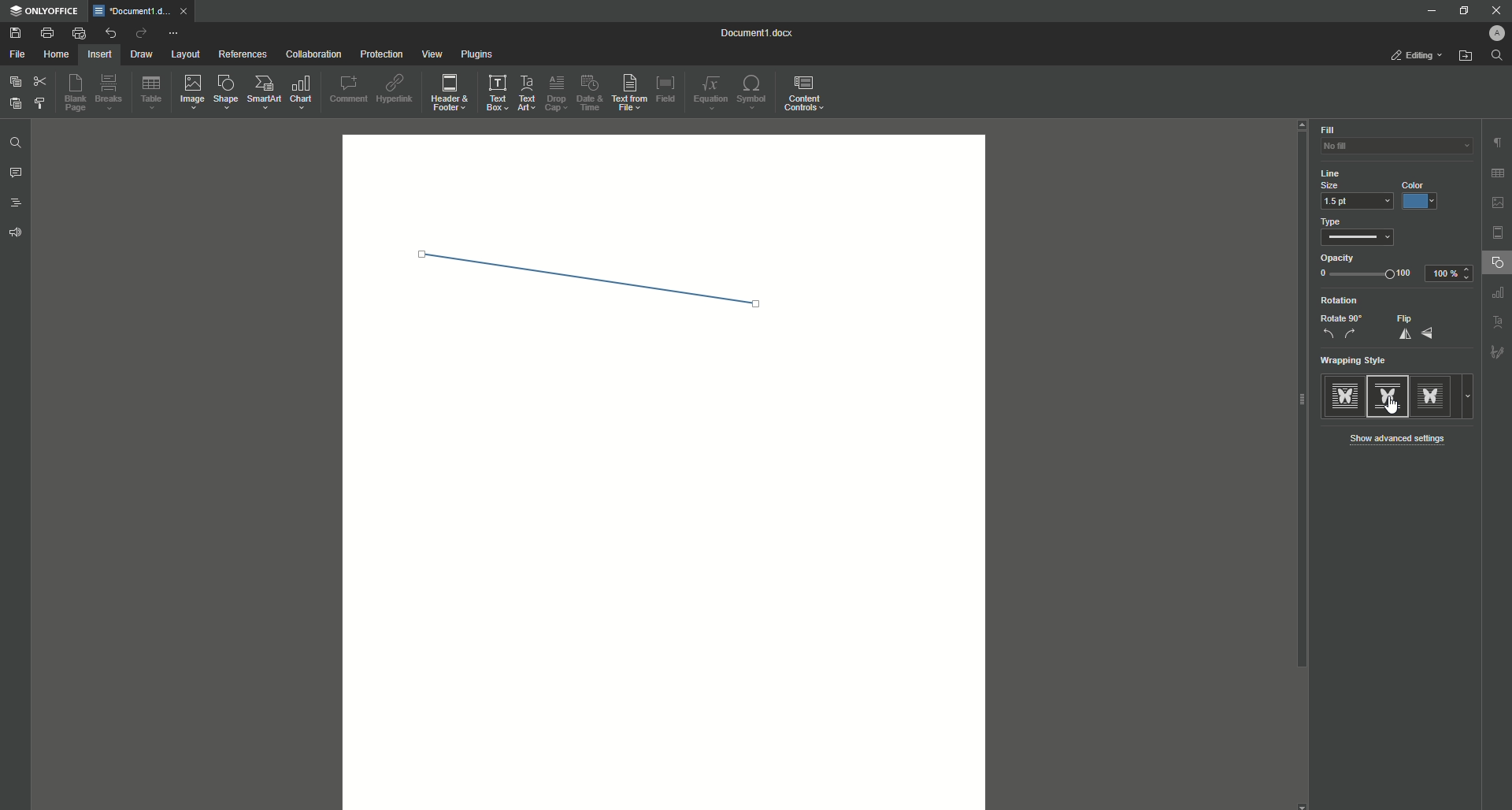 The image size is (1512, 810). I want to click on Comment, so click(348, 88).